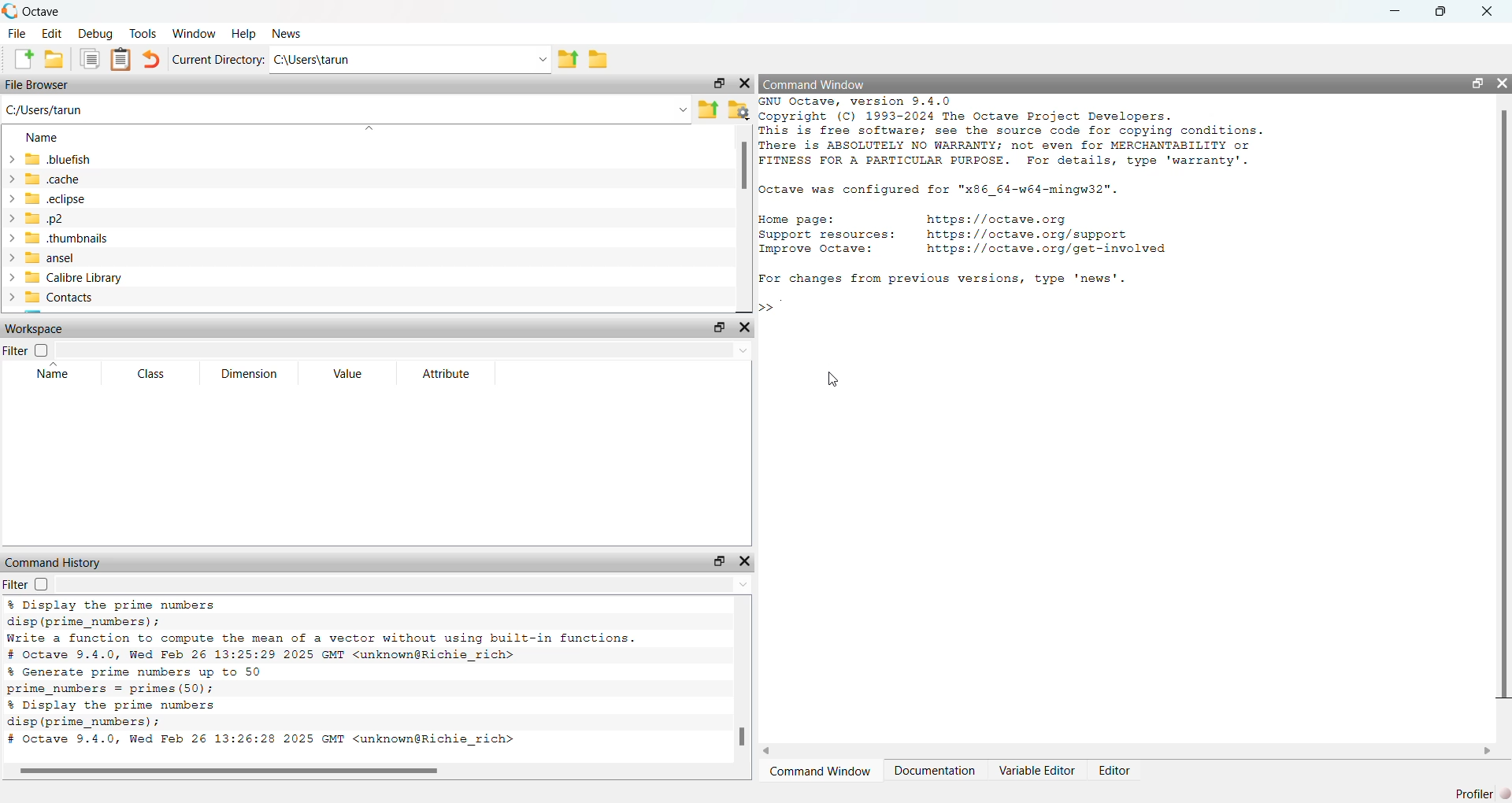 The image size is (1512, 803). Describe the element at coordinates (448, 375) in the screenshot. I see `Attribute` at that location.